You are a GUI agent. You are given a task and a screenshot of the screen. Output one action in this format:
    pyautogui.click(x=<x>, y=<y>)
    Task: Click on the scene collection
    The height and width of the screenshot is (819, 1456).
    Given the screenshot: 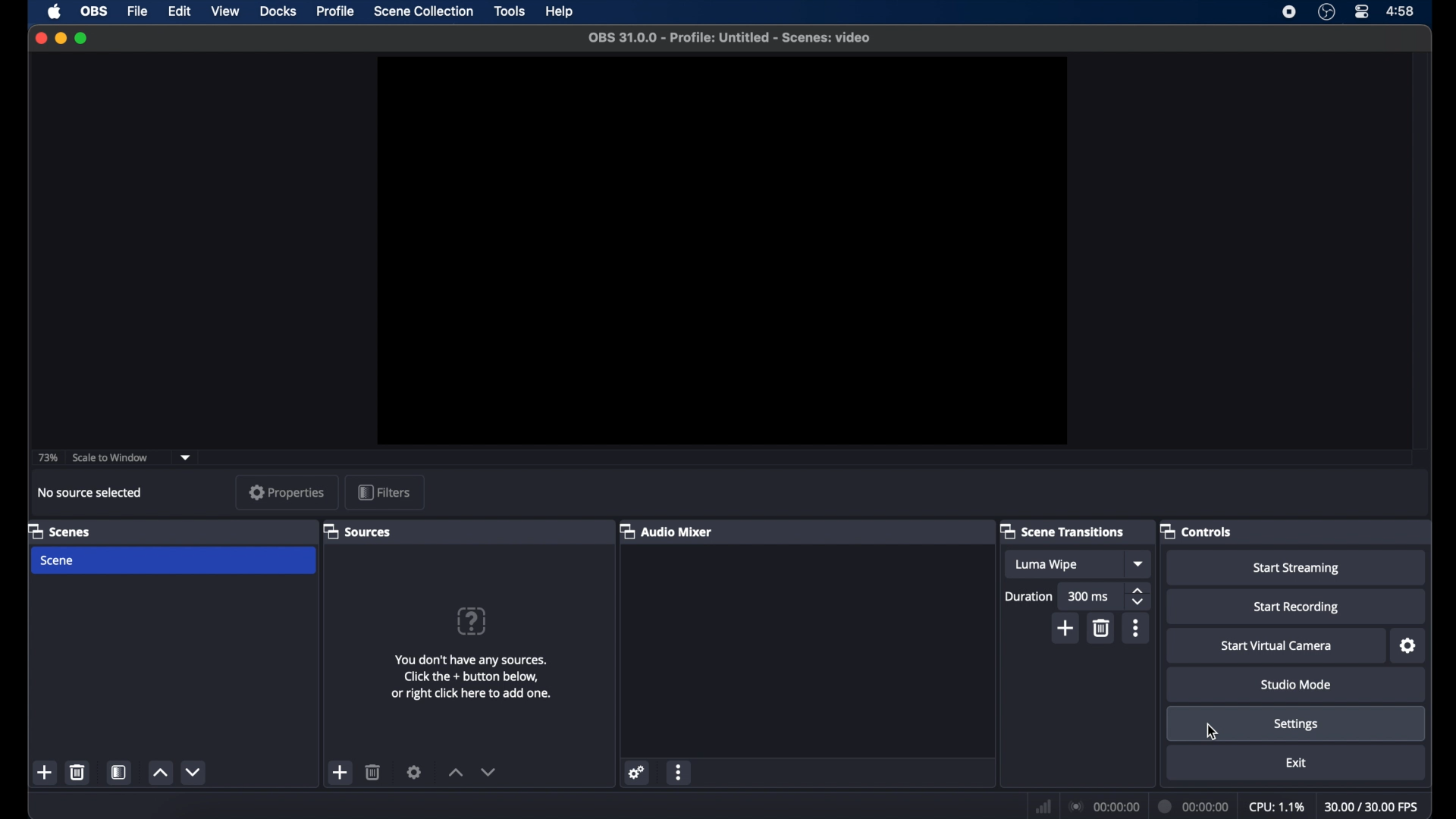 What is the action you would take?
    pyautogui.click(x=422, y=11)
    